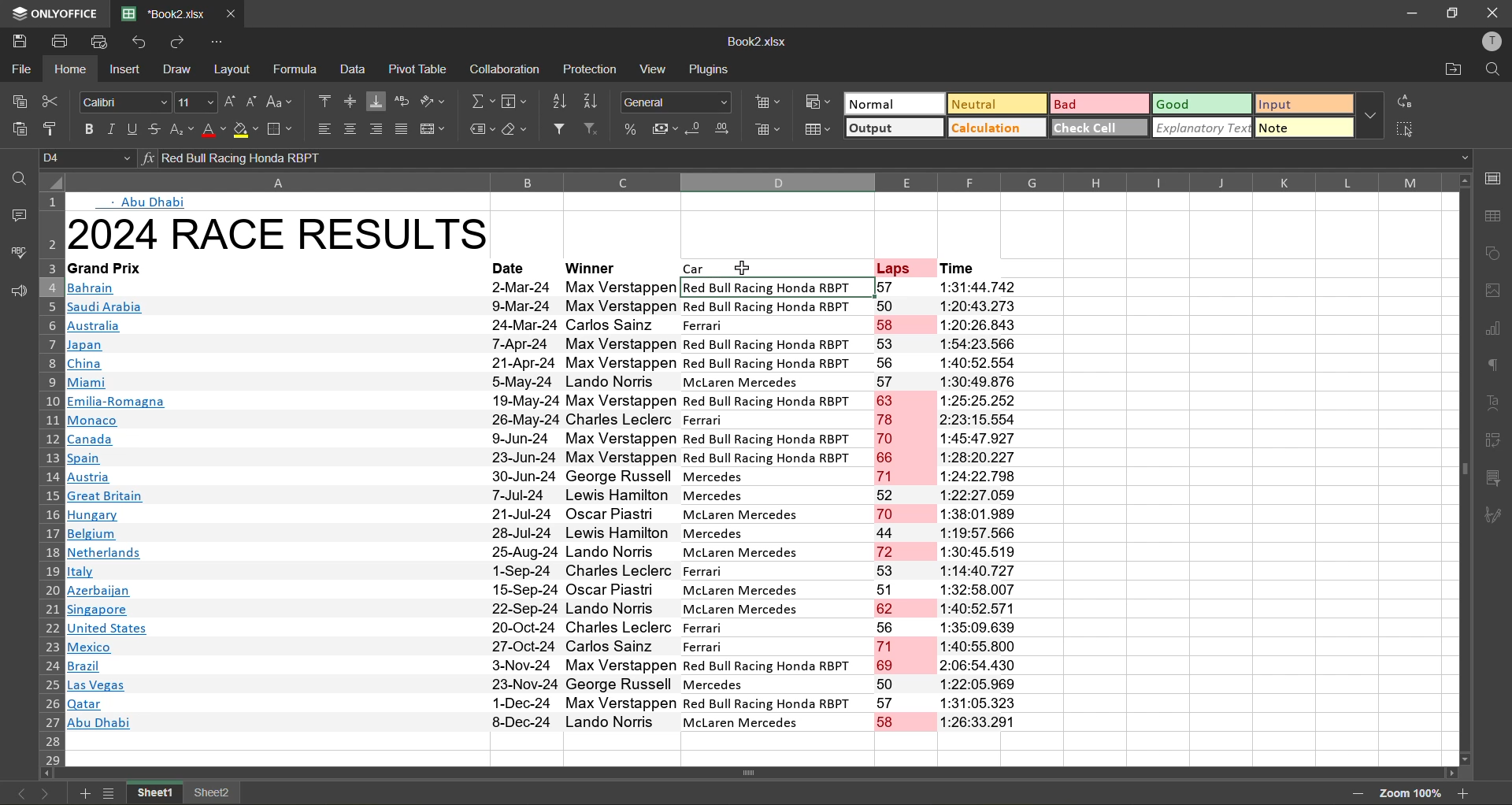 This screenshot has height=805, width=1512. I want to click on align middle, so click(351, 102).